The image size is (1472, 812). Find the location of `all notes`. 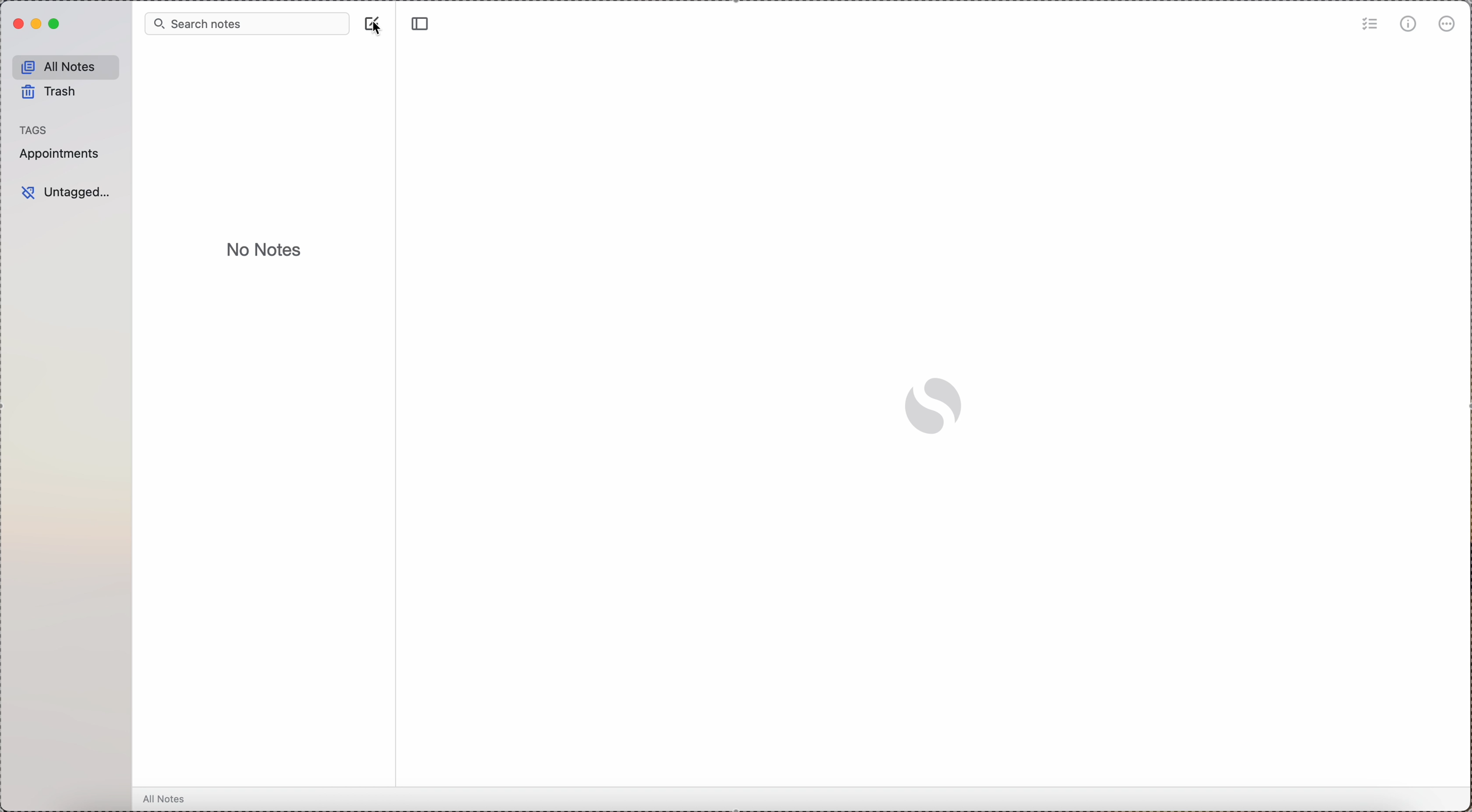

all notes is located at coordinates (169, 799).